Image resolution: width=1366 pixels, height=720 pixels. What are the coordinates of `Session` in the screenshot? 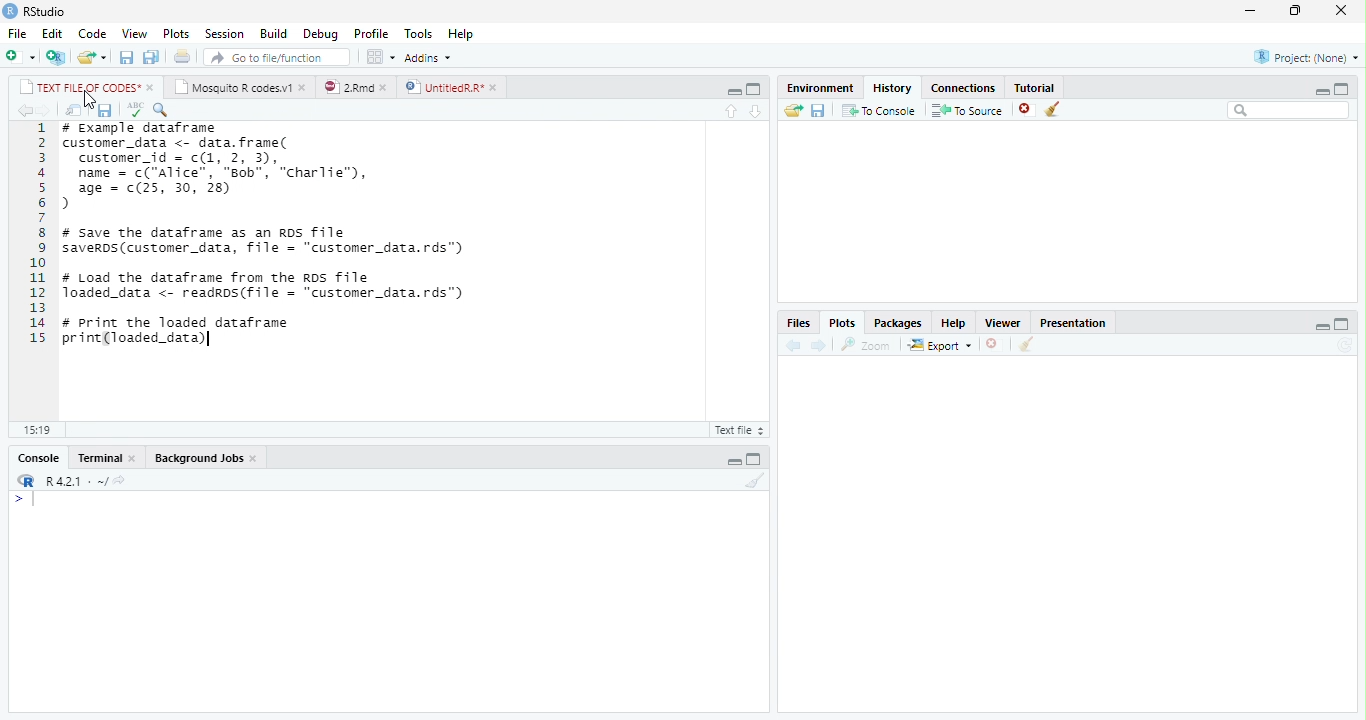 It's located at (222, 35).